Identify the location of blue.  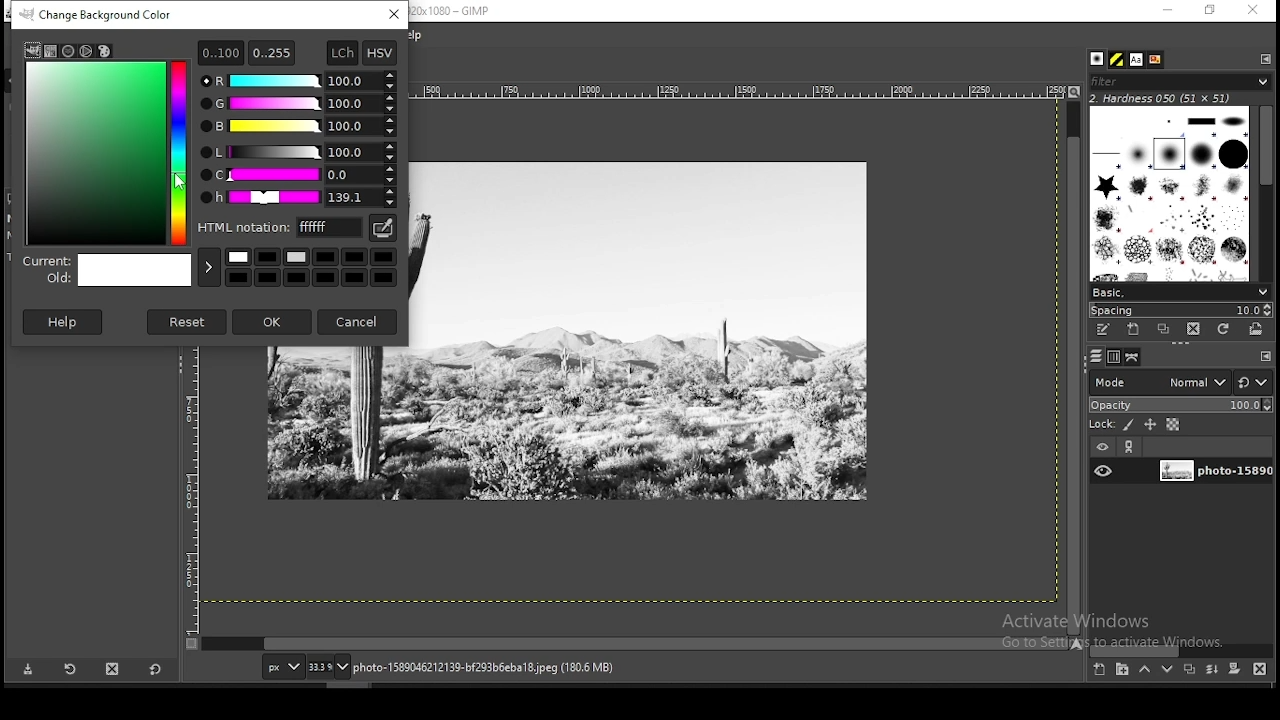
(298, 127).